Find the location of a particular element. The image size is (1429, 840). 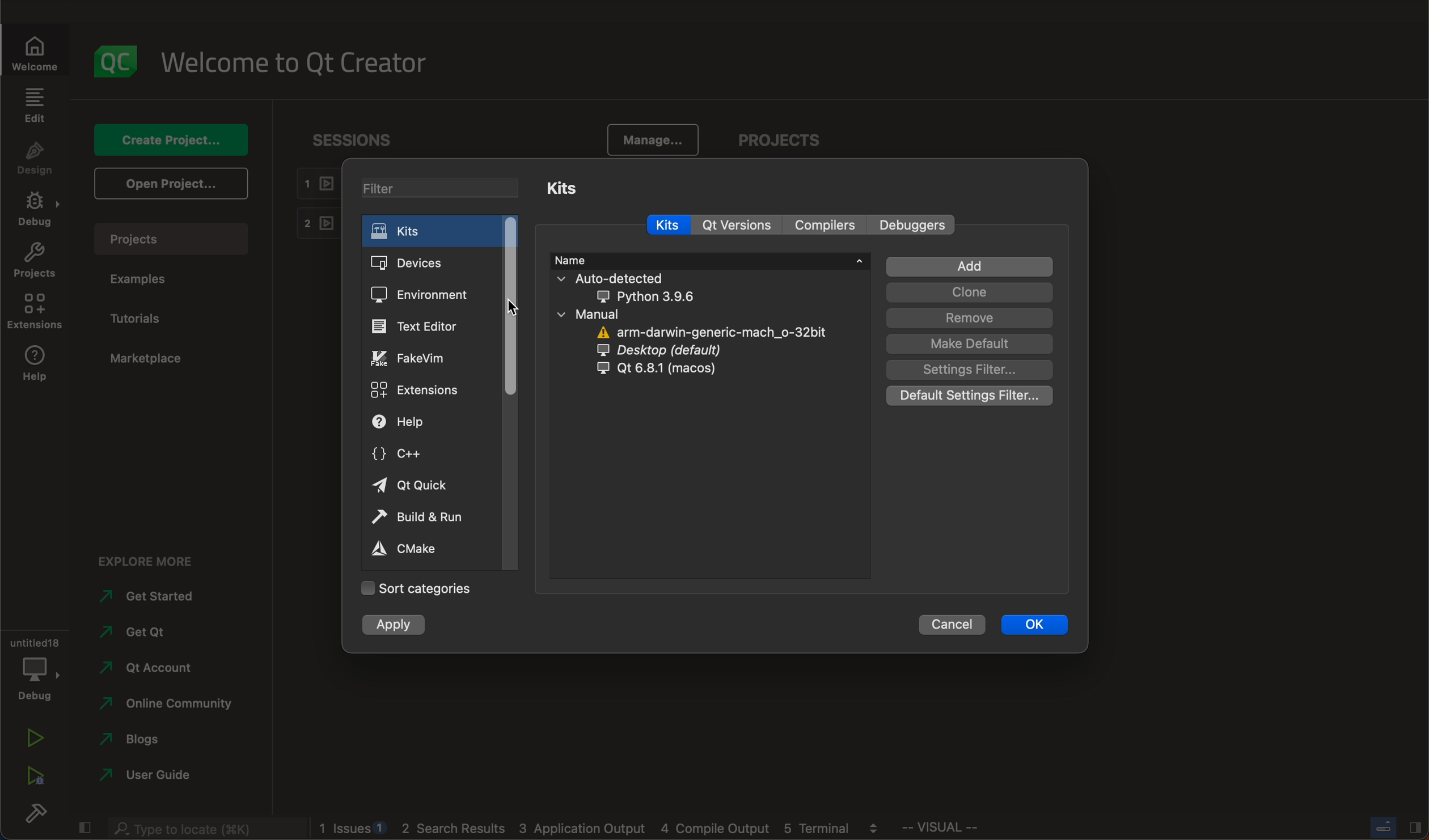

on mousedown is located at coordinates (514, 312).